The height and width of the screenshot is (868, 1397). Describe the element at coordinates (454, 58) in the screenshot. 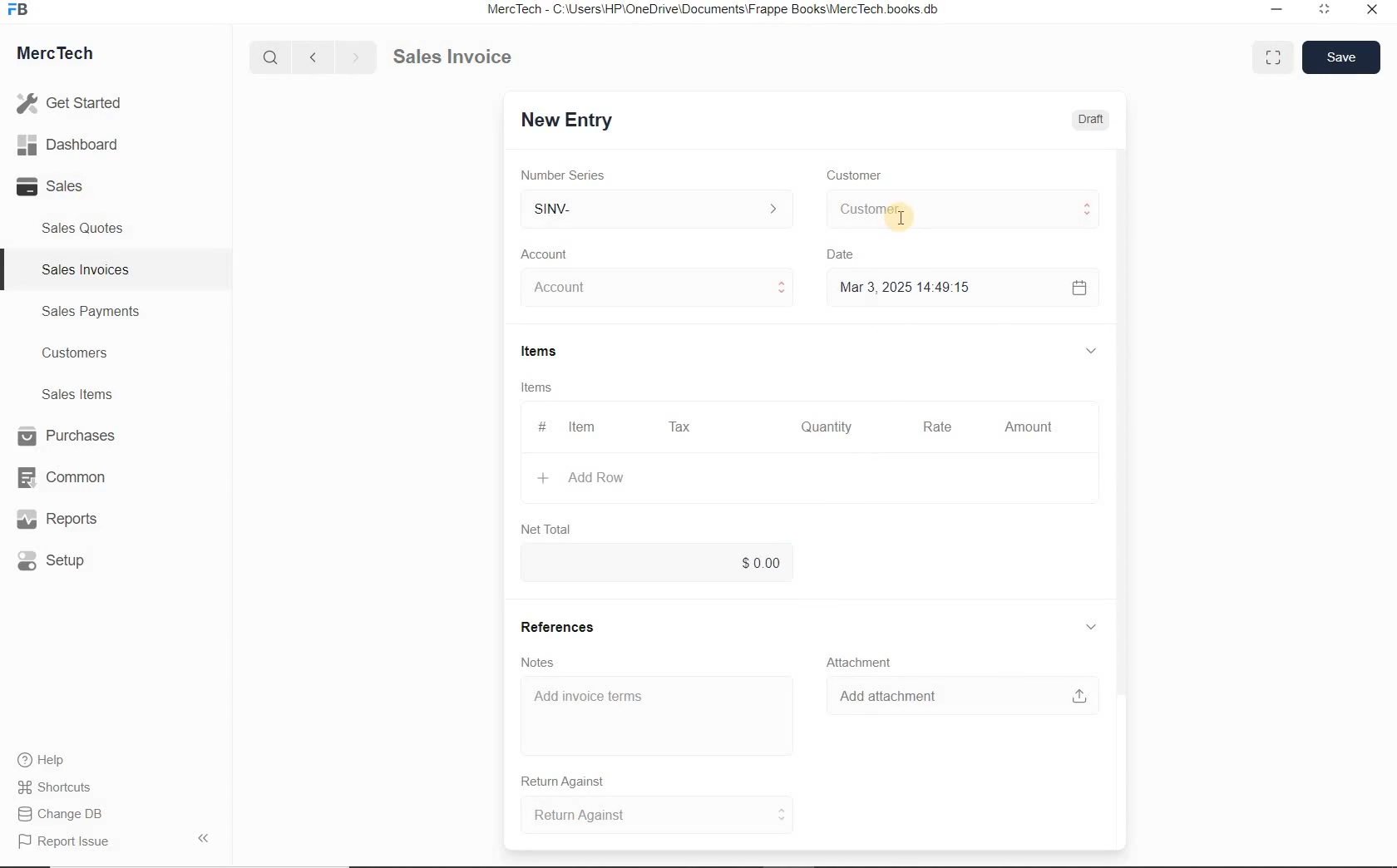

I see `Sales Invoice` at that location.